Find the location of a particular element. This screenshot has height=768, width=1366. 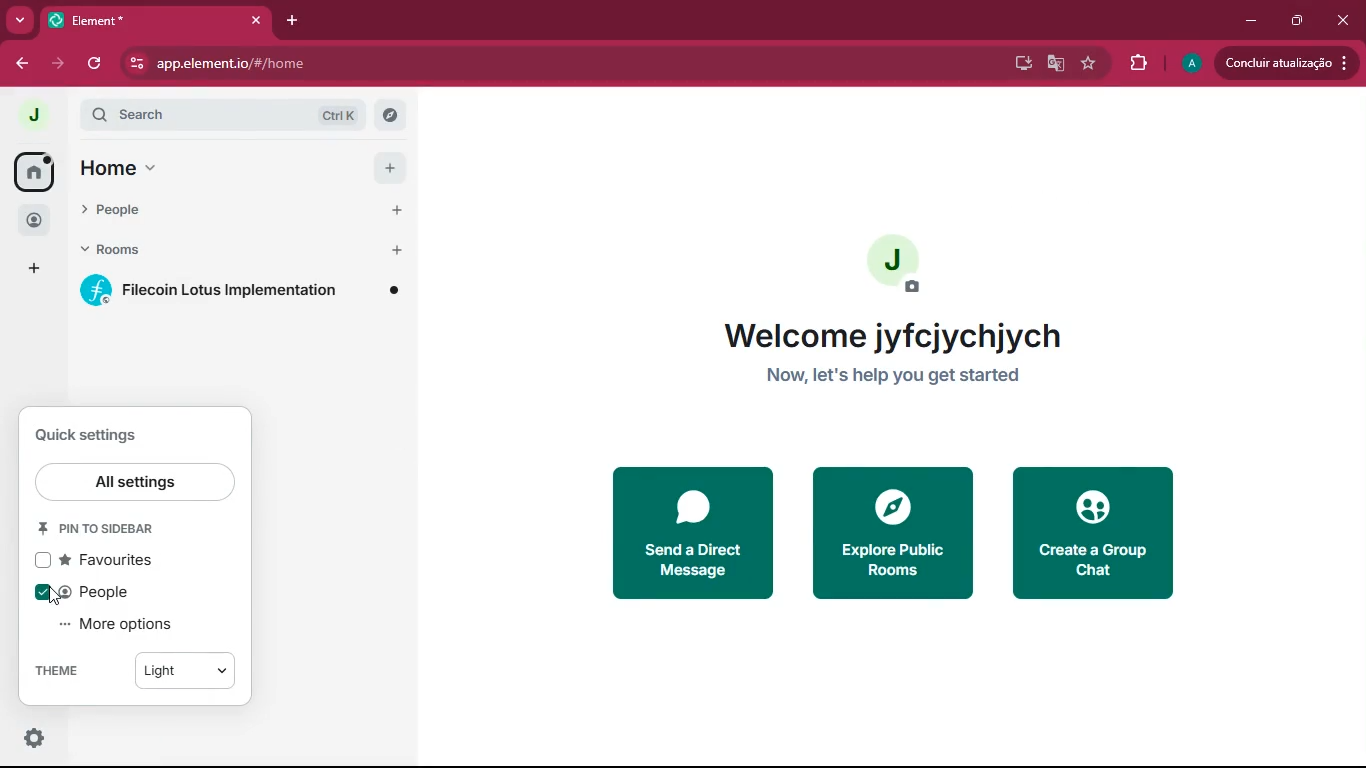

all settings is located at coordinates (136, 483).